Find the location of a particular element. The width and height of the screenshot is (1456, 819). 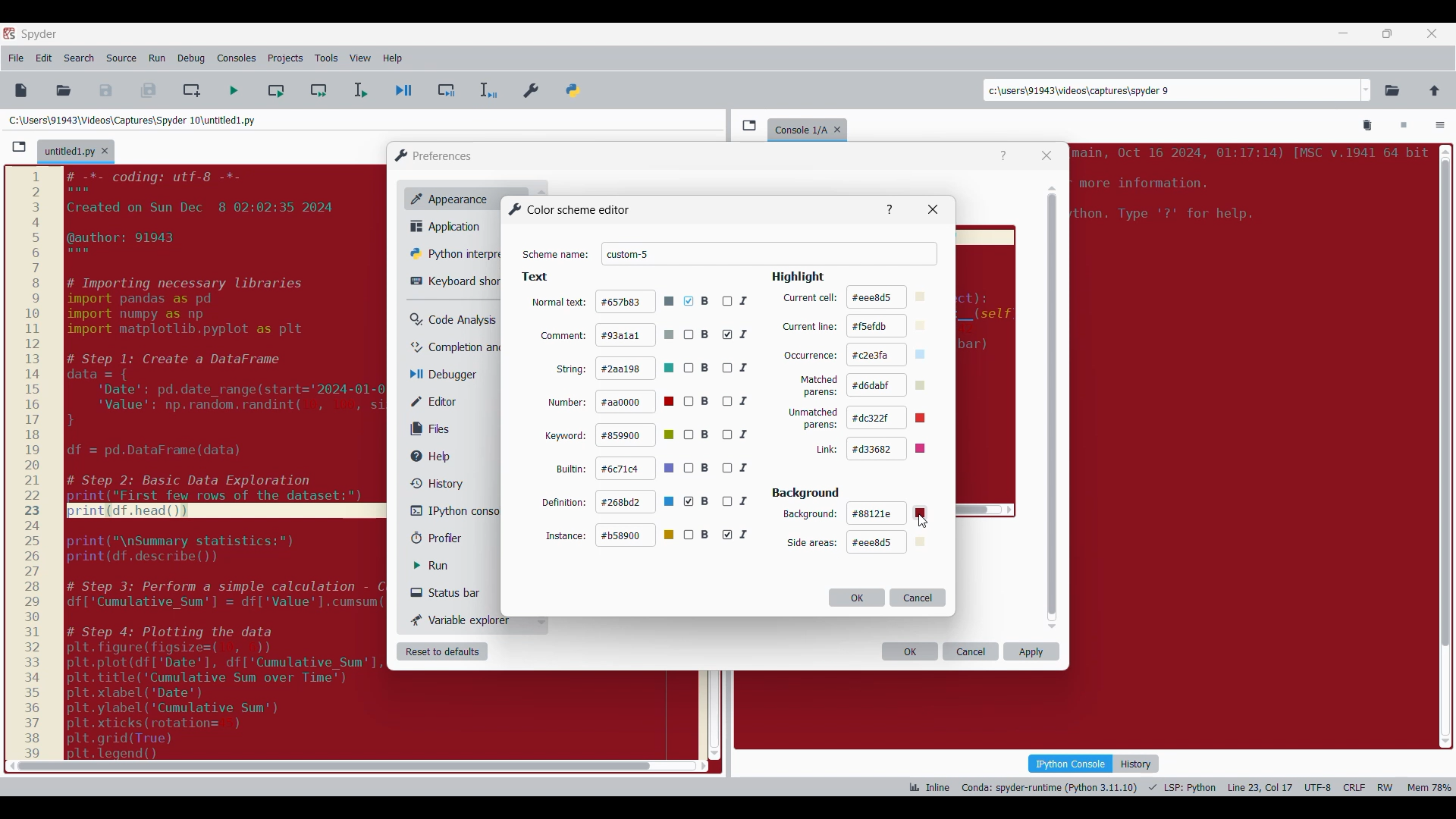

Run file is located at coordinates (234, 90).